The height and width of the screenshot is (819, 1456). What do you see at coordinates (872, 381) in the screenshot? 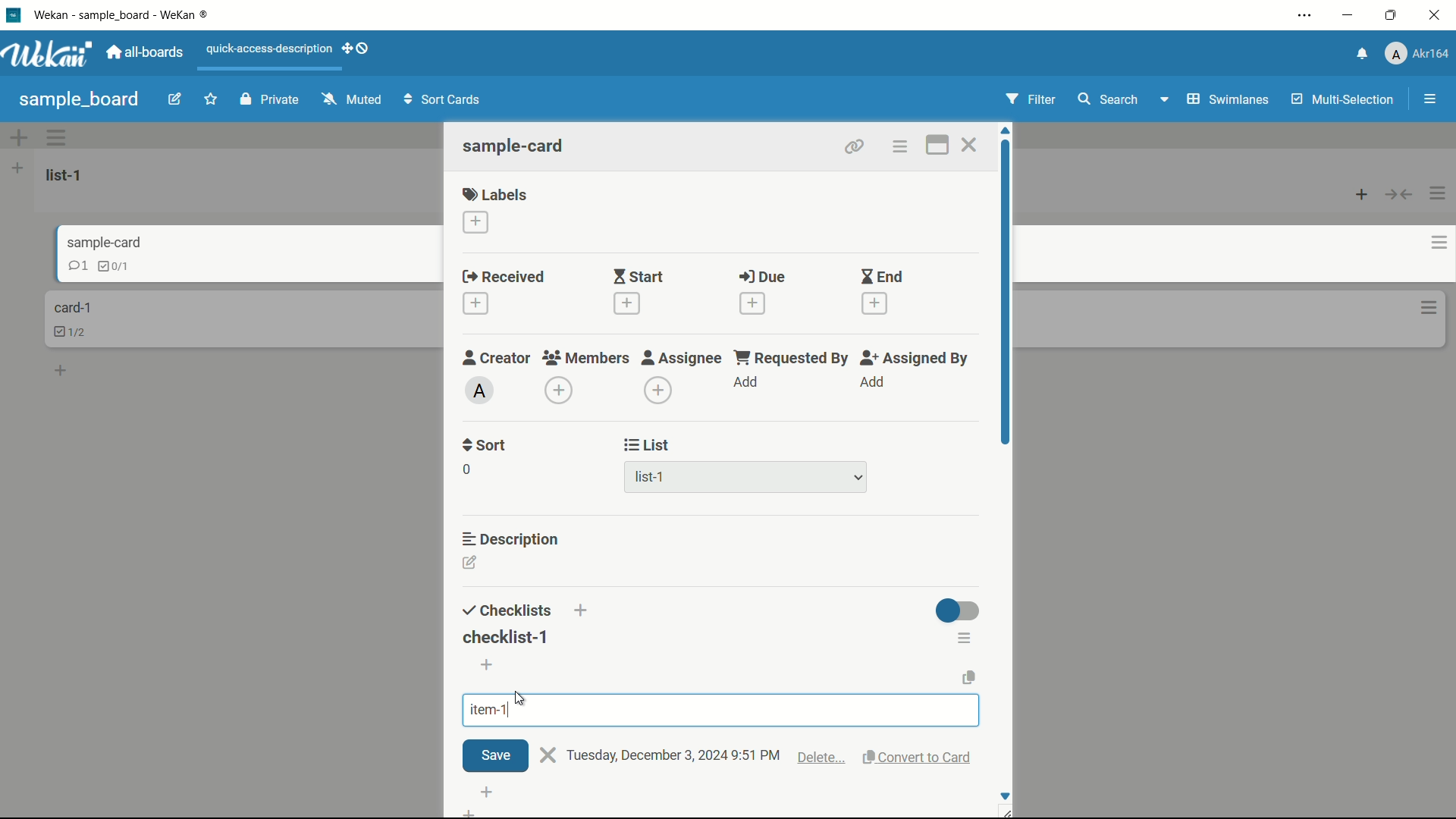
I see `add assignee` at bounding box center [872, 381].